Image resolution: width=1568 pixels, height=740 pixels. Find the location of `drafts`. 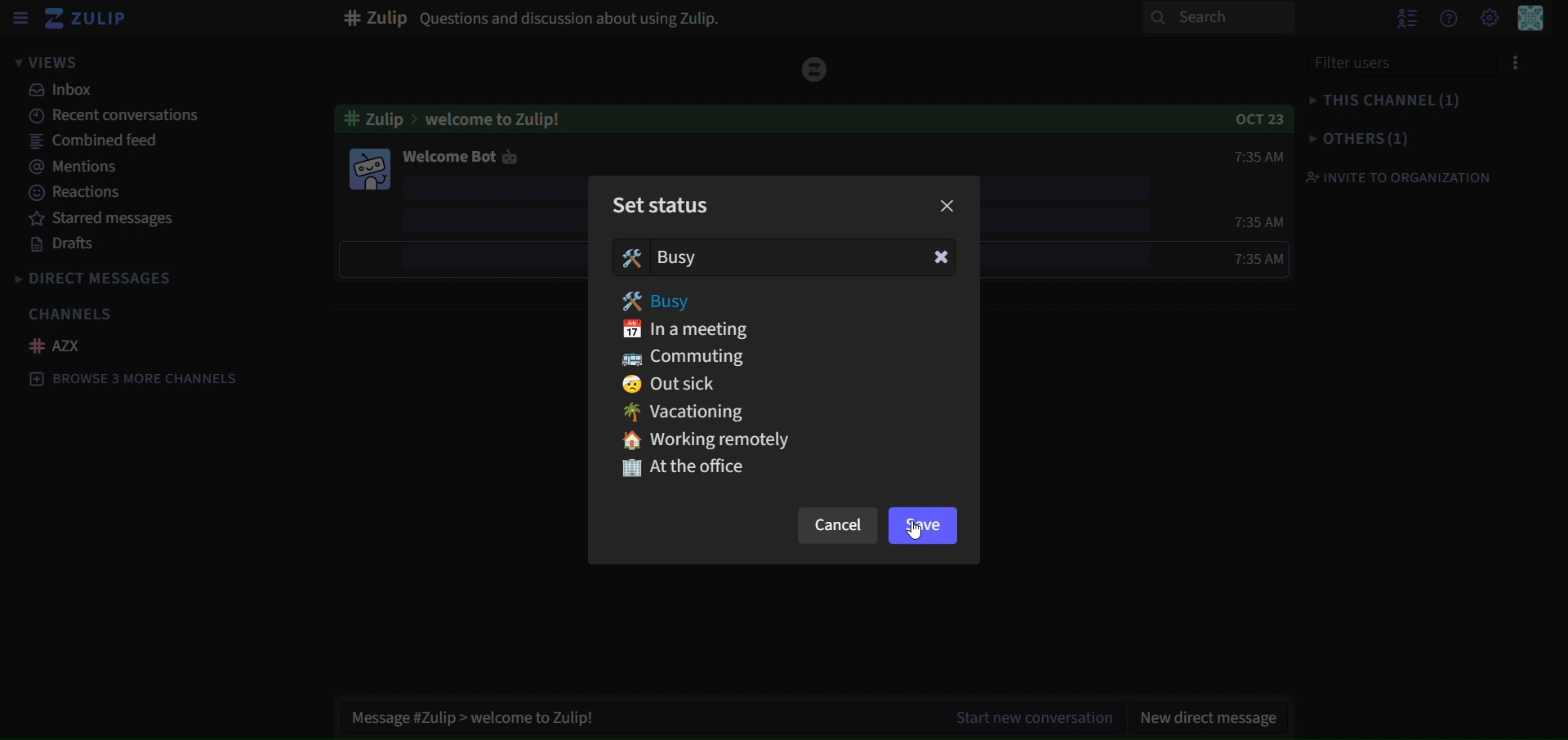

drafts is located at coordinates (67, 246).